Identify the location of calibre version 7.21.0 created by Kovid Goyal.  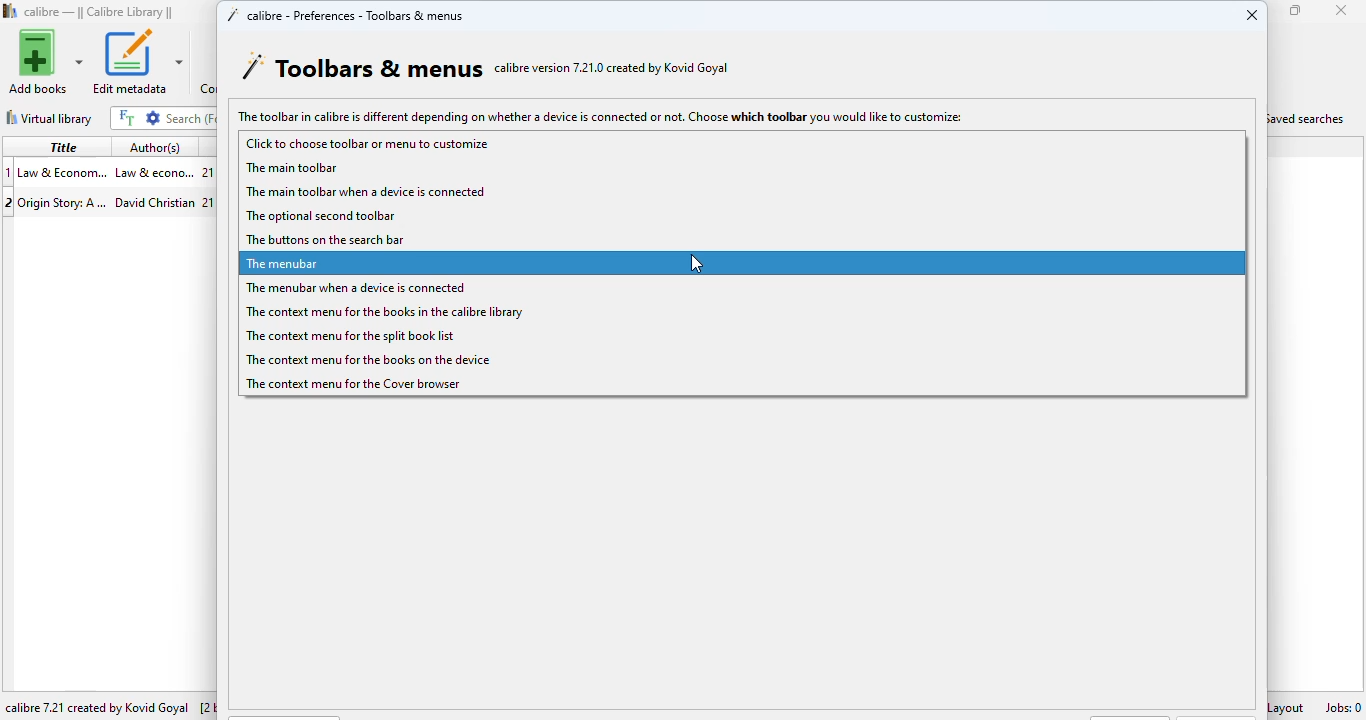
(612, 67).